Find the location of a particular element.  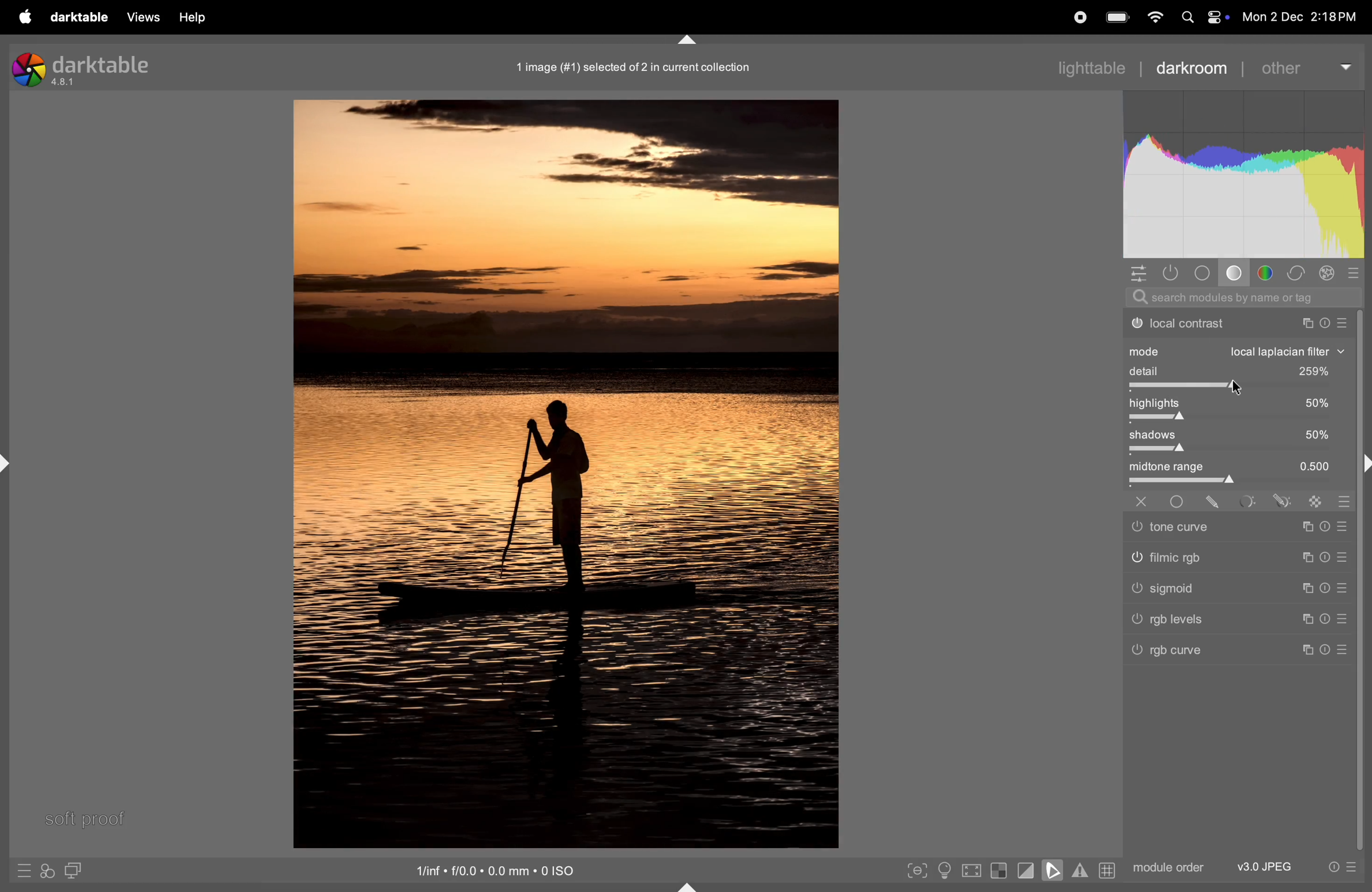

search bar is located at coordinates (1238, 297).